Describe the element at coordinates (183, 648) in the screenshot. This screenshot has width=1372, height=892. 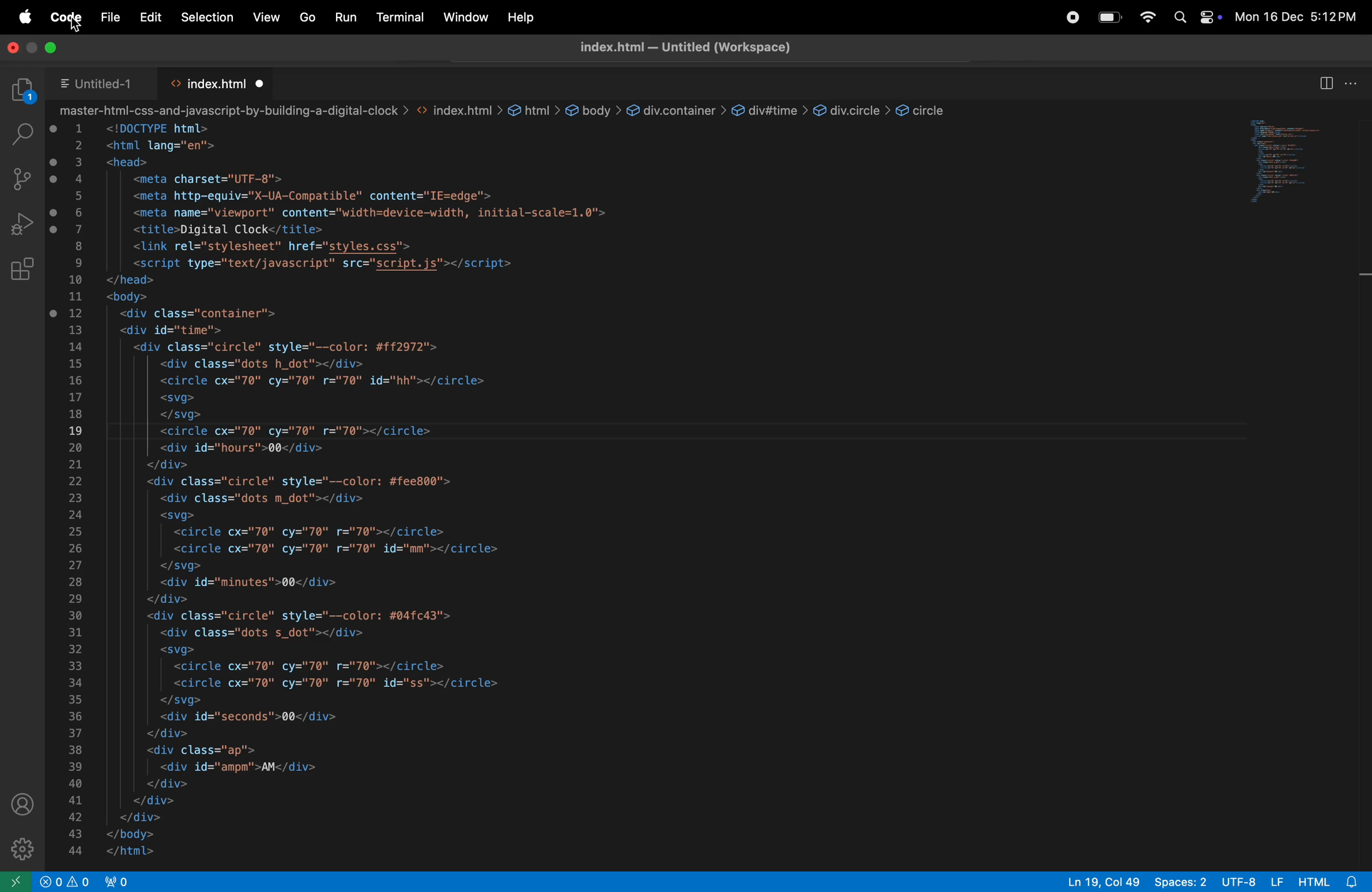
I see `<svg>` at that location.